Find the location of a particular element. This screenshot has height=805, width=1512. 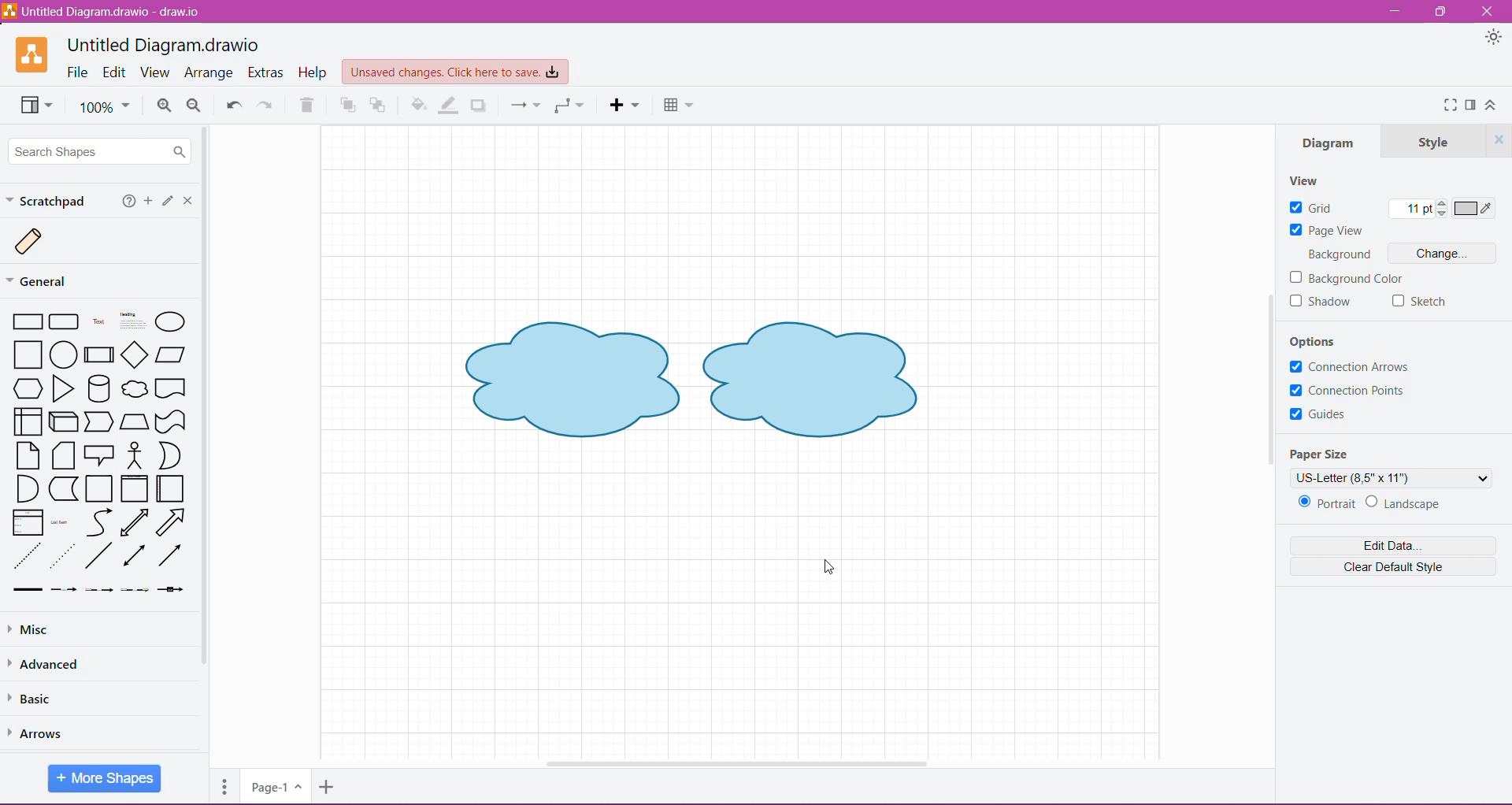

Available Shapes is located at coordinates (102, 454).